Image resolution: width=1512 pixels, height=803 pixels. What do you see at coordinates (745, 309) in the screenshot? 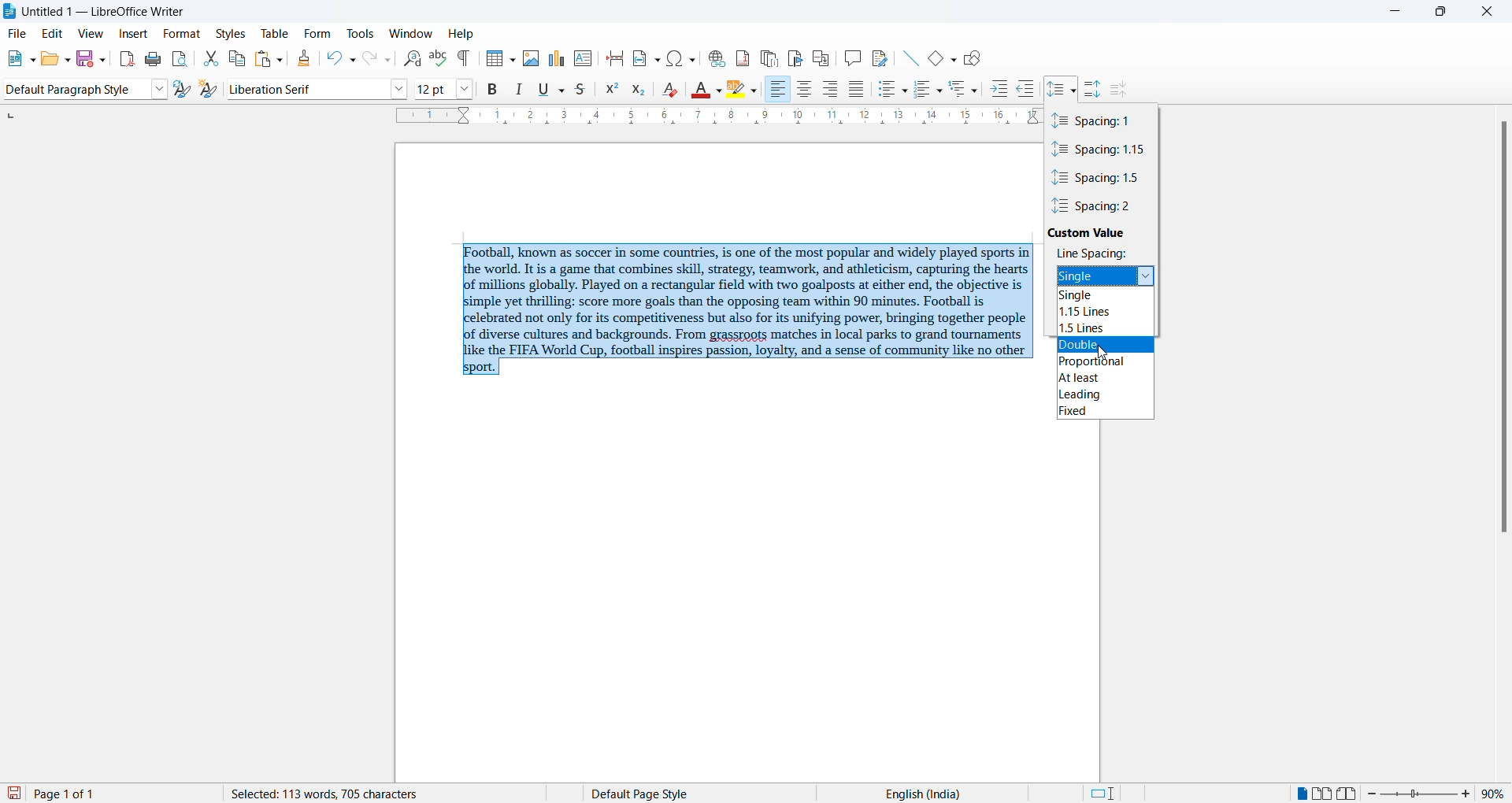
I see `selected paragraph` at bounding box center [745, 309].